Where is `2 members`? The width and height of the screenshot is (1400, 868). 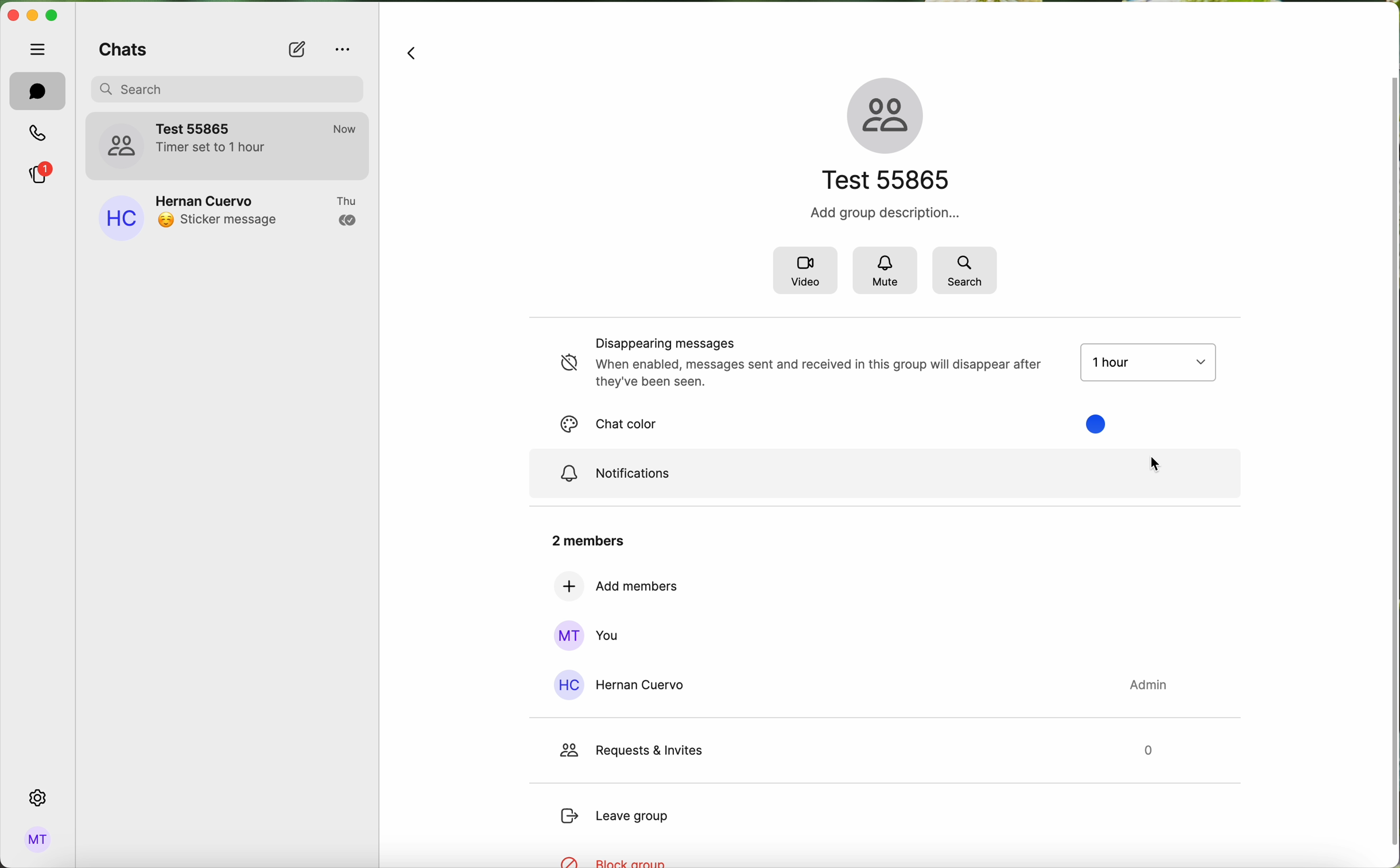 2 members is located at coordinates (585, 540).